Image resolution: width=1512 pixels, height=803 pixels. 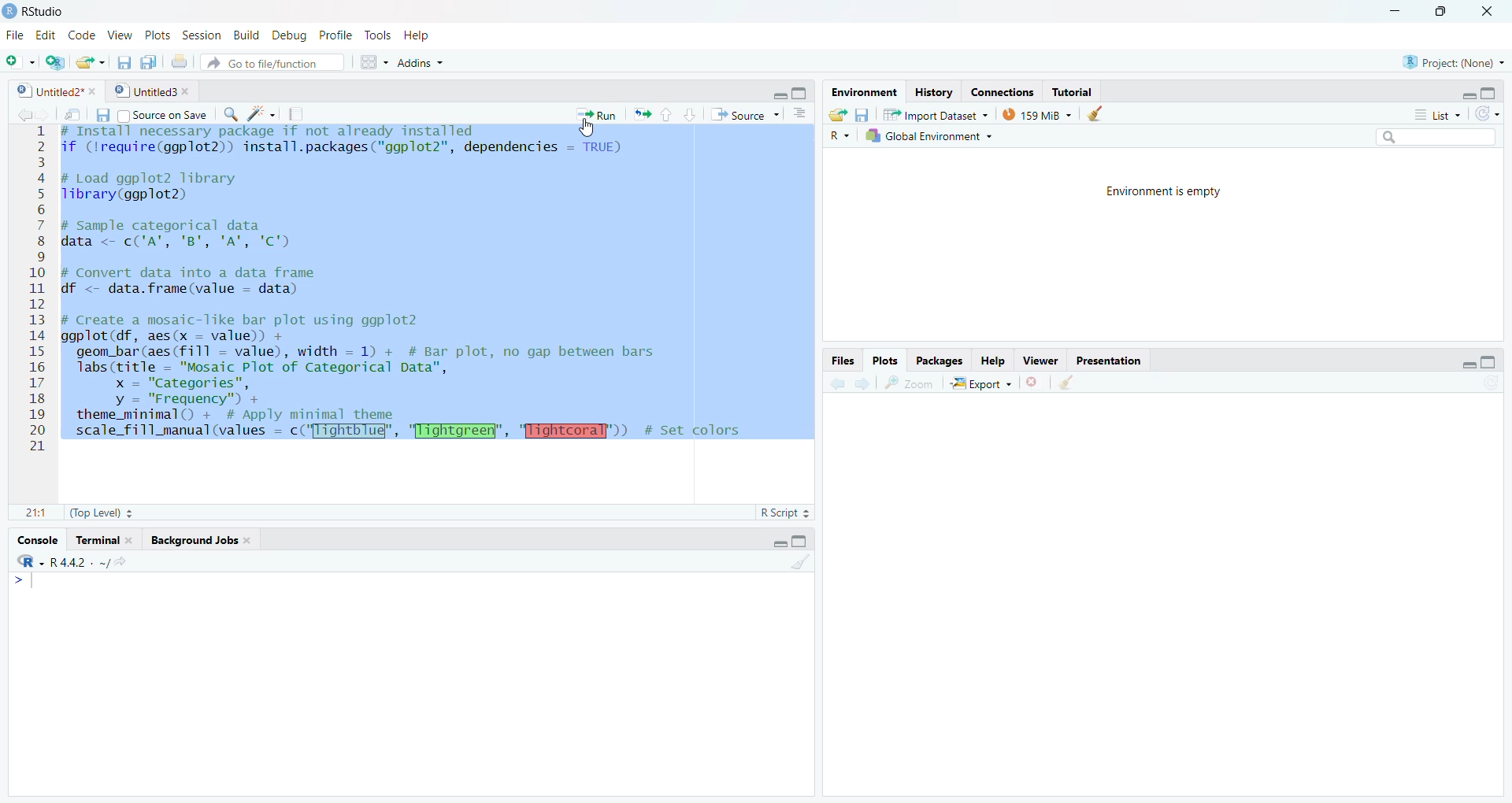 I want to click on File, so click(x=13, y=35).